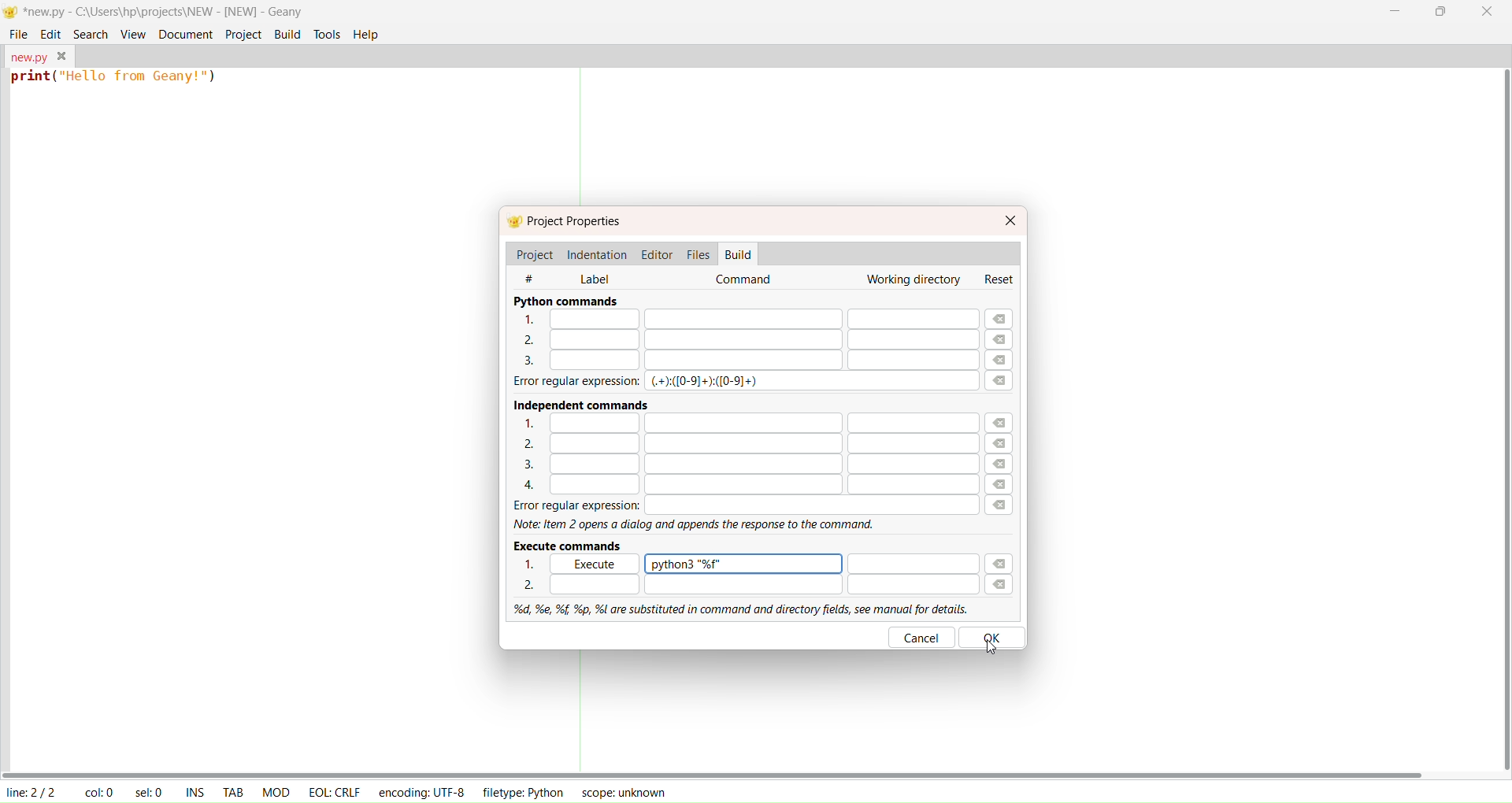  What do you see at coordinates (995, 636) in the screenshot?
I see `ok` at bounding box center [995, 636].